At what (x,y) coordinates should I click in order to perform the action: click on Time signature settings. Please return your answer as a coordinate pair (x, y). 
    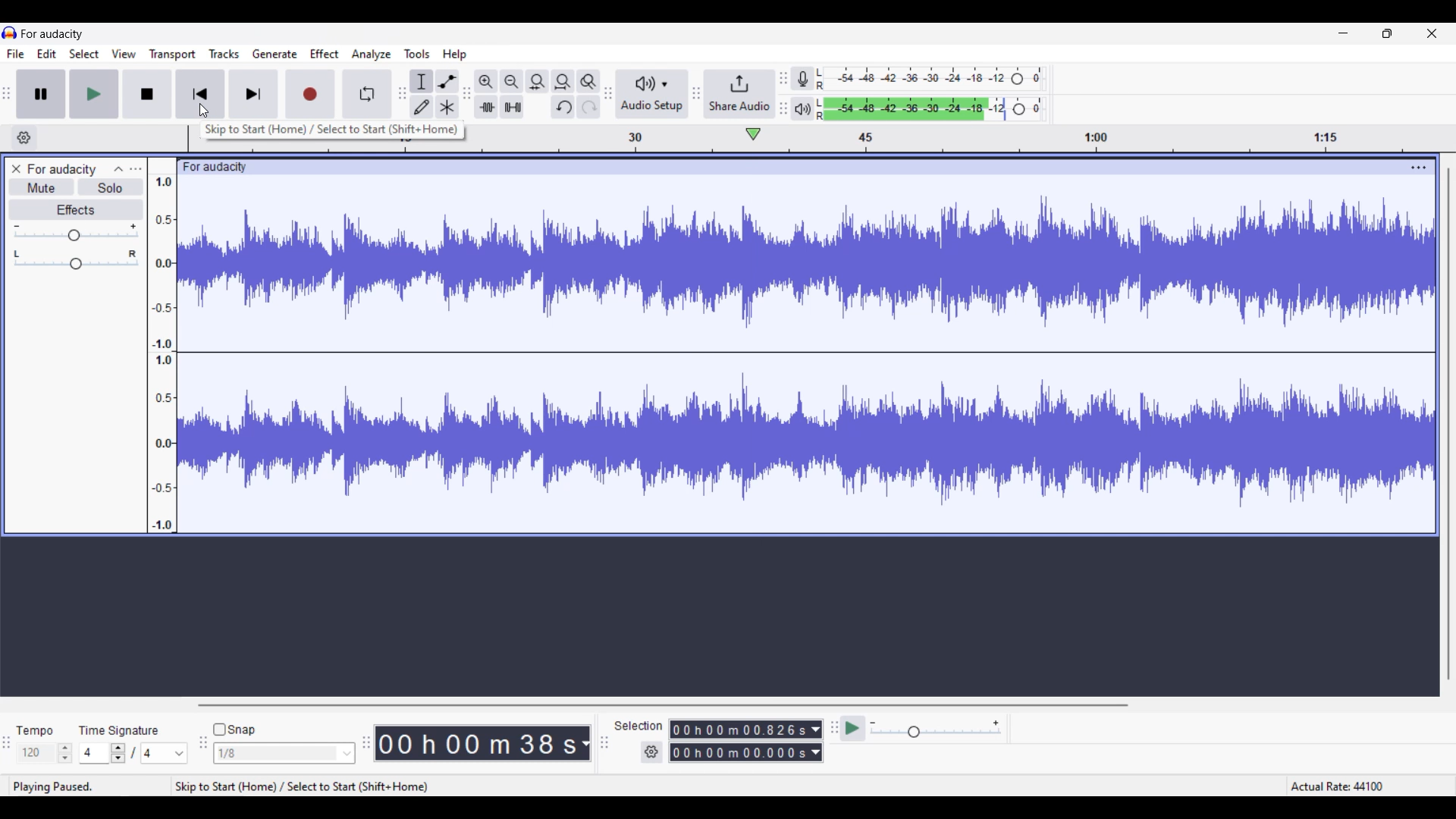
    Looking at the image, I should click on (135, 753).